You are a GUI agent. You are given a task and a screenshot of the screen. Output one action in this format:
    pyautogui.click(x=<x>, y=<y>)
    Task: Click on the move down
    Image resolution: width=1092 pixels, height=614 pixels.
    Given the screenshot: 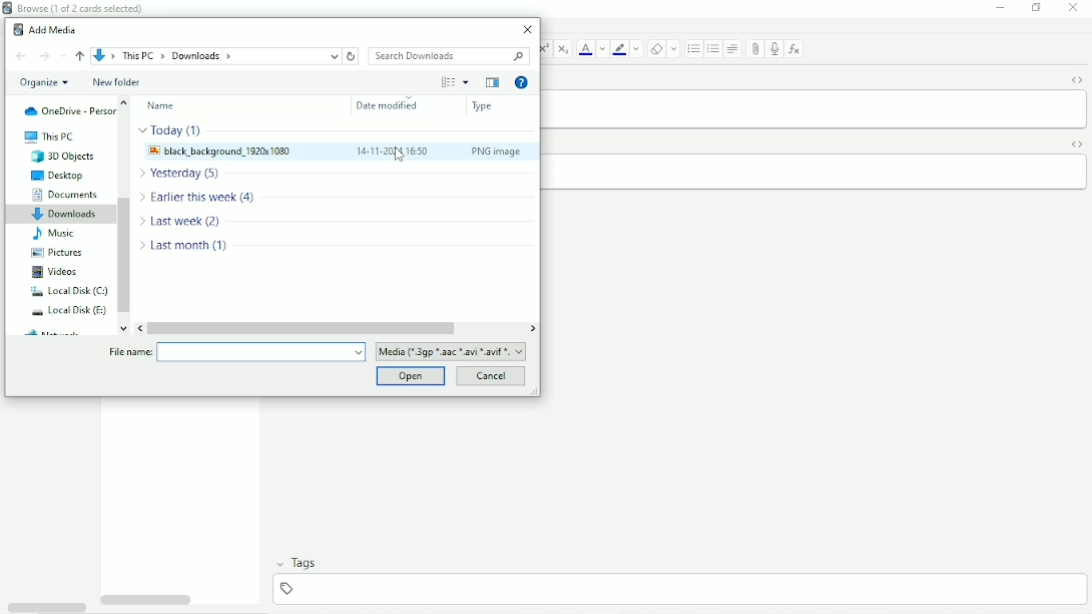 What is the action you would take?
    pyautogui.click(x=123, y=328)
    